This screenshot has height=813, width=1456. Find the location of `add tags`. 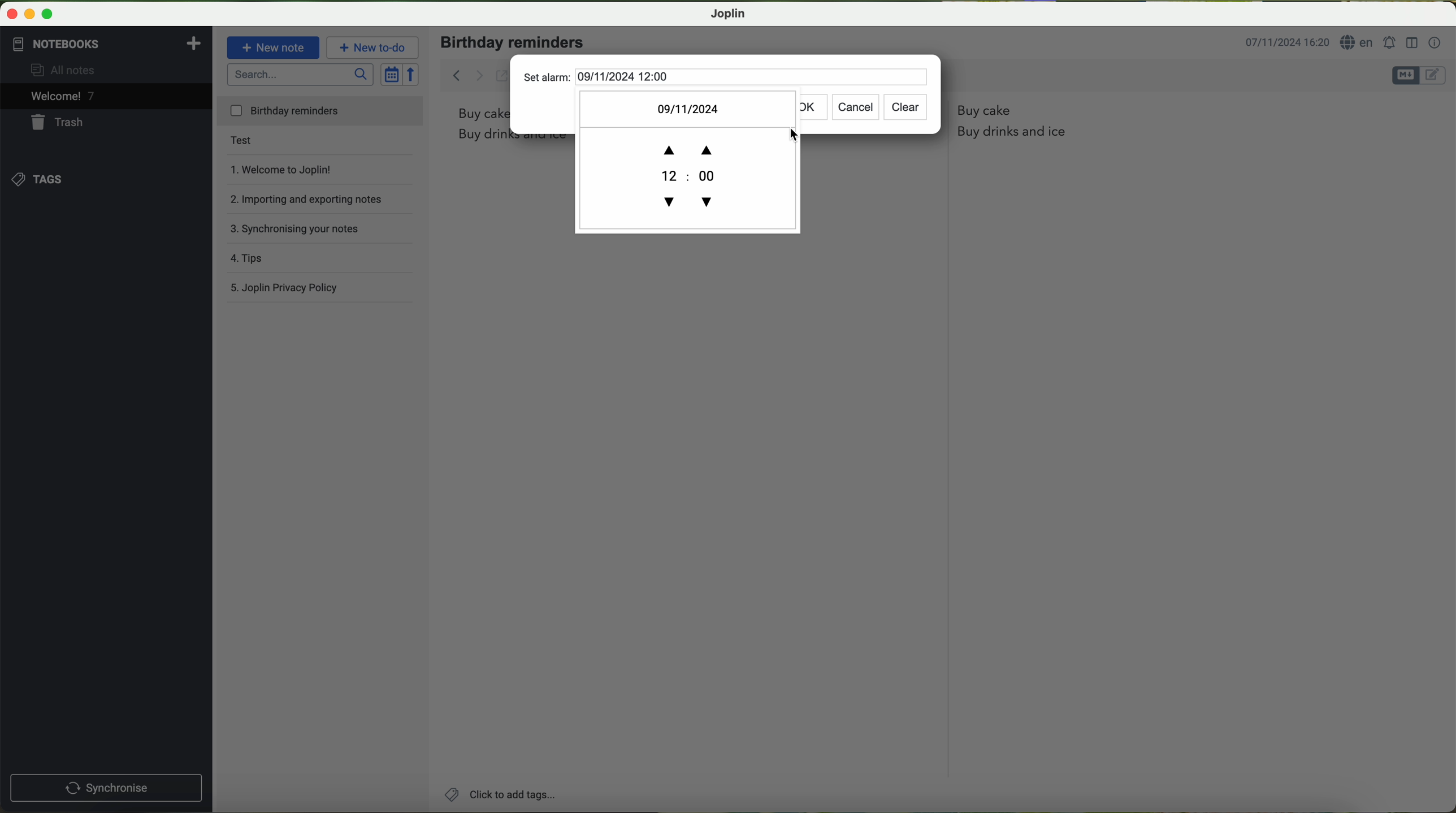

add tags is located at coordinates (503, 794).